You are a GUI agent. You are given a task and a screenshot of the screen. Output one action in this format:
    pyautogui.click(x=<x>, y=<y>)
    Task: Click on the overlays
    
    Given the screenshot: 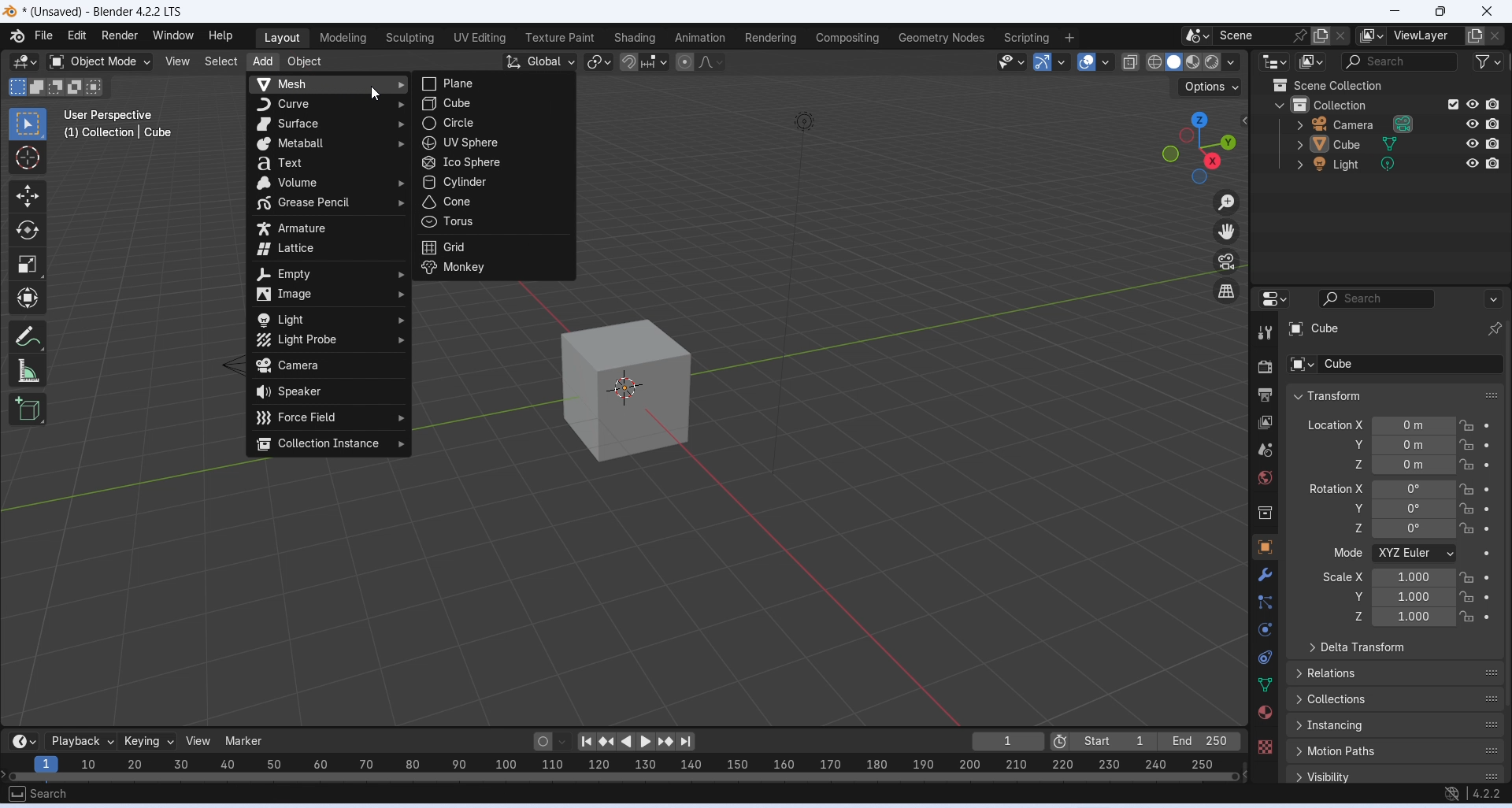 What is the action you would take?
    pyautogui.click(x=1105, y=62)
    